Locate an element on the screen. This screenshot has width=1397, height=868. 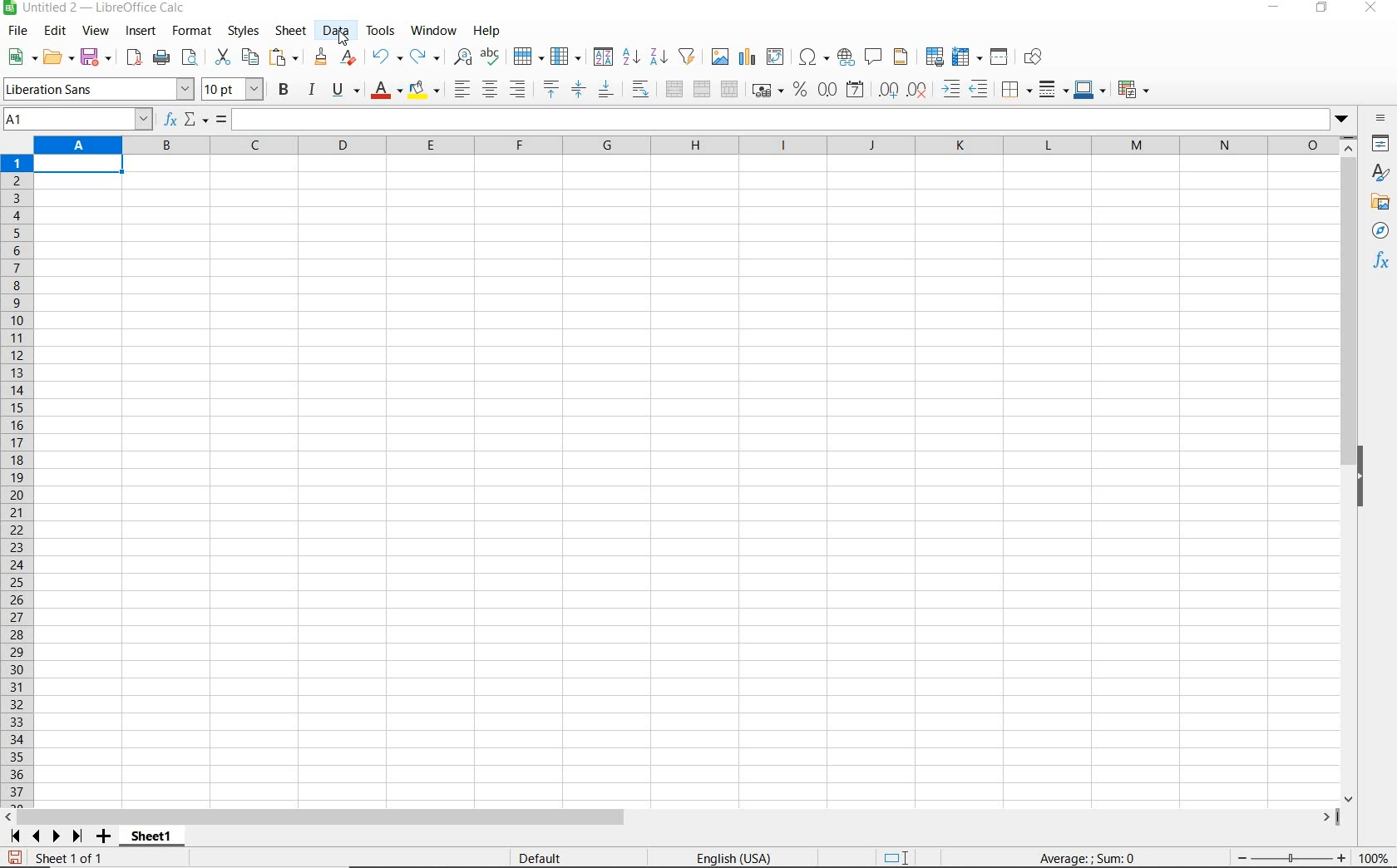
file is located at coordinates (15, 33).